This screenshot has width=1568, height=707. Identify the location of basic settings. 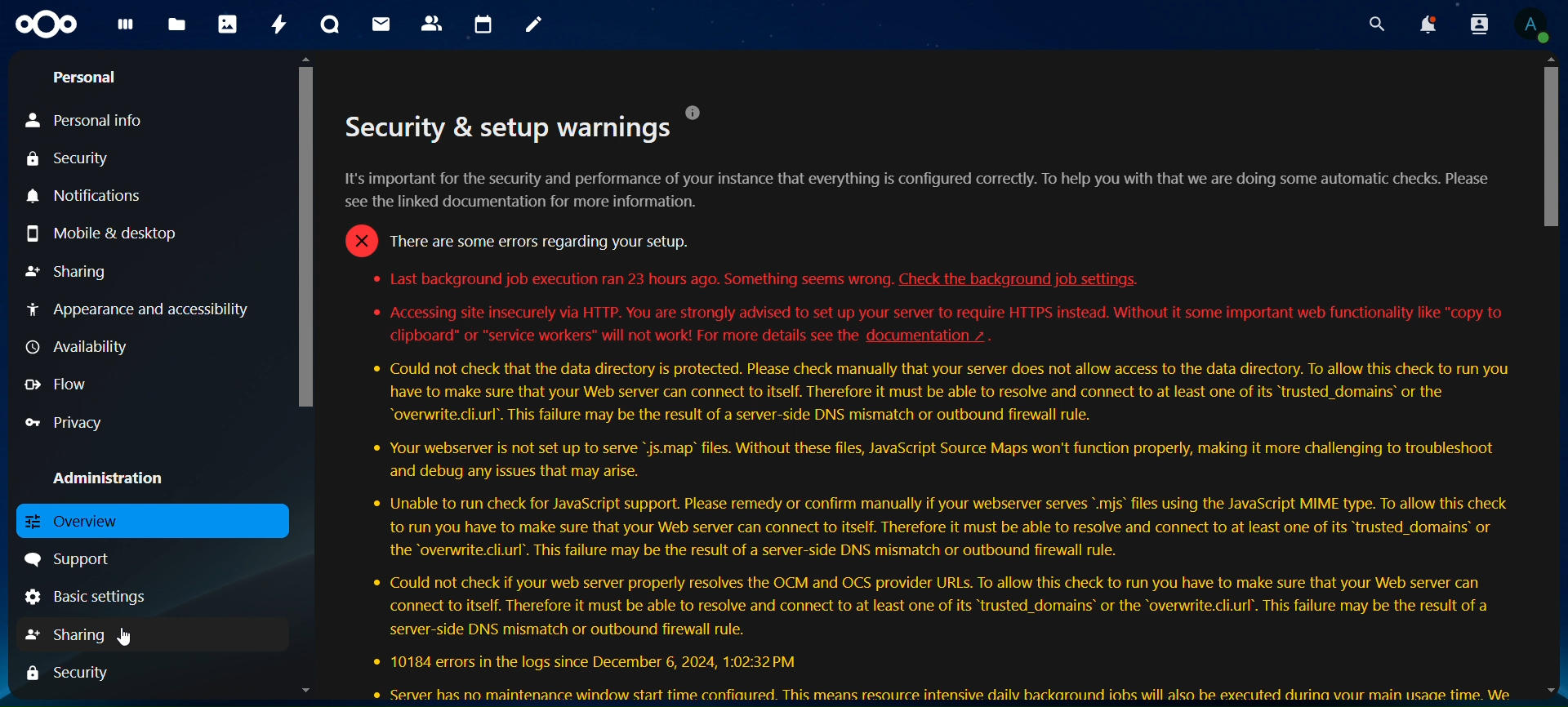
(101, 596).